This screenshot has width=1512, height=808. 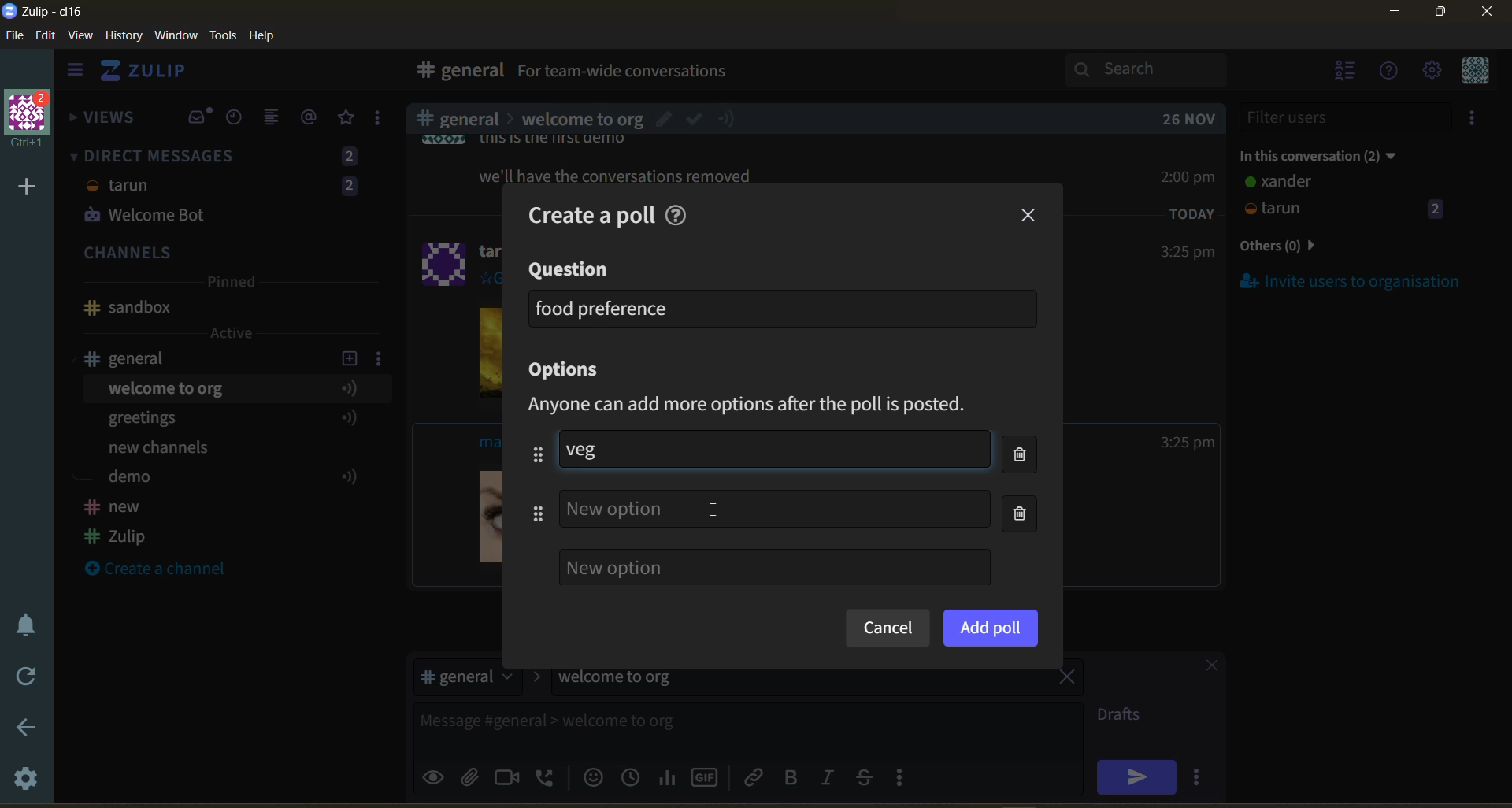 I want to click on close, so click(x=1204, y=668).